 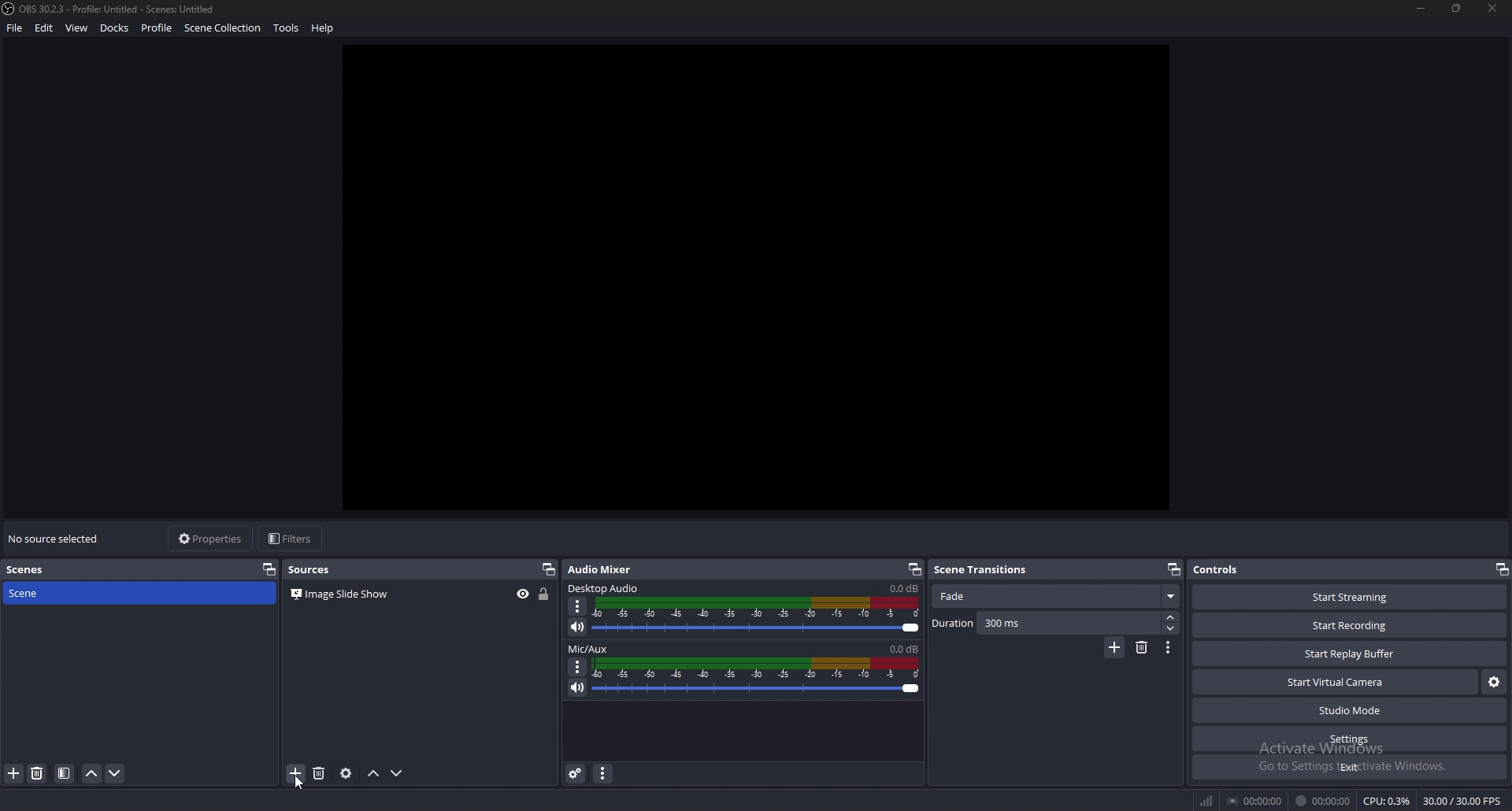 I want to click on options, so click(x=579, y=668).